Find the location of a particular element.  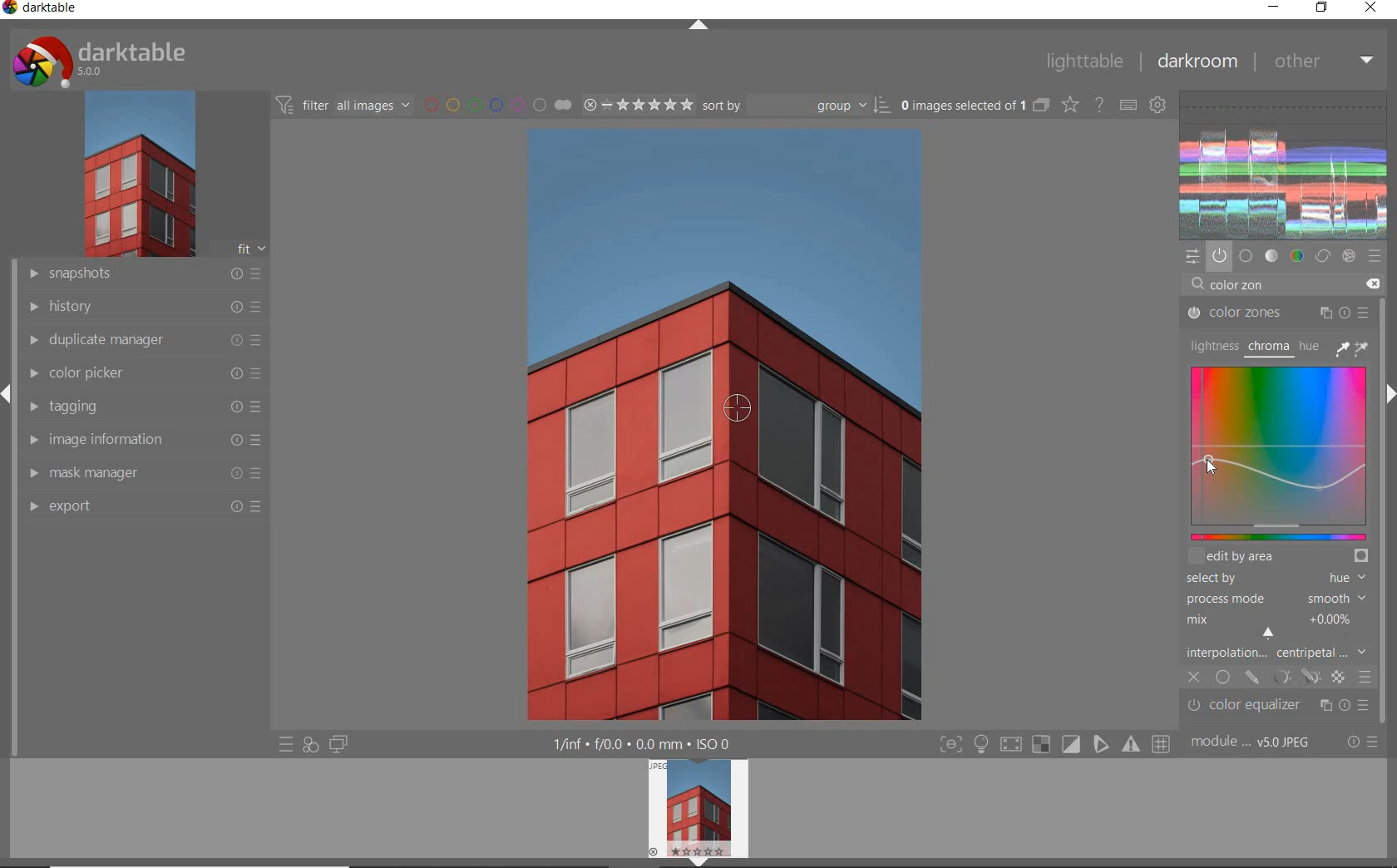

waveform is located at coordinates (1285, 163).